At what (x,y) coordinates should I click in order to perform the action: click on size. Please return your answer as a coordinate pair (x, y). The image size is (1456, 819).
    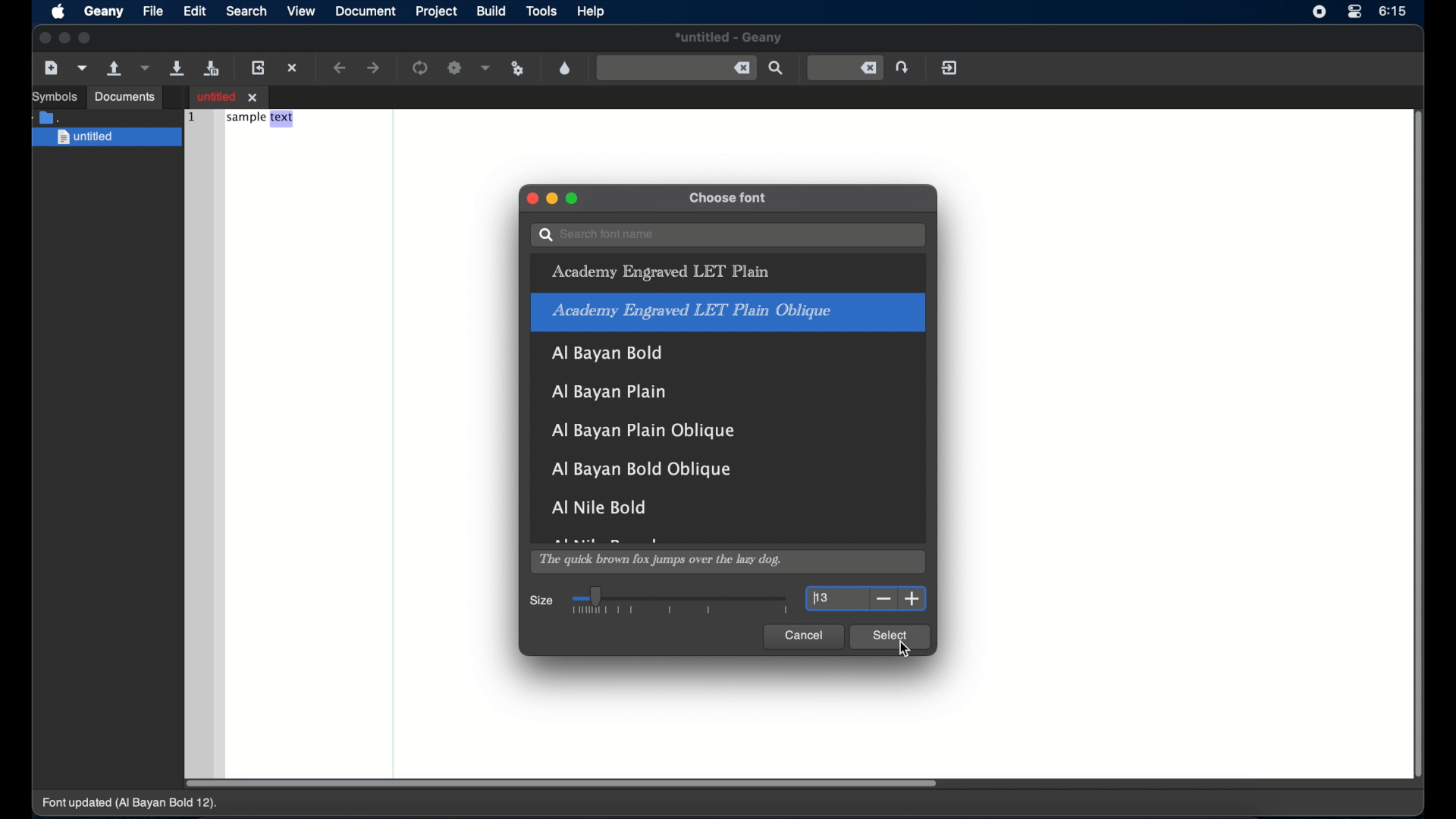
    Looking at the image, I should click on (542, 601).